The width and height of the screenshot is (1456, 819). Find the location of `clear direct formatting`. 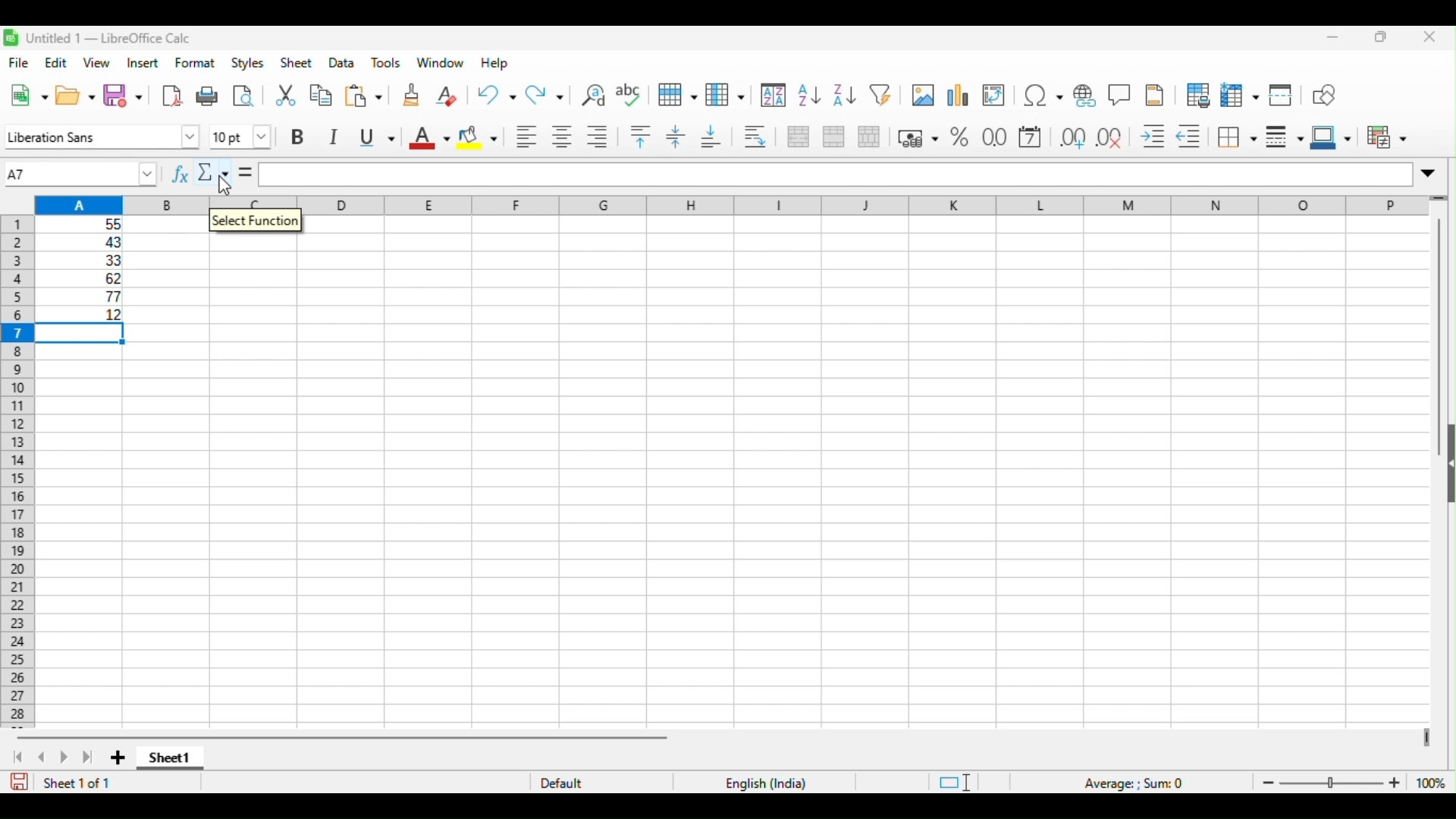

clear direct formatting is located at coordinates (447, 96).